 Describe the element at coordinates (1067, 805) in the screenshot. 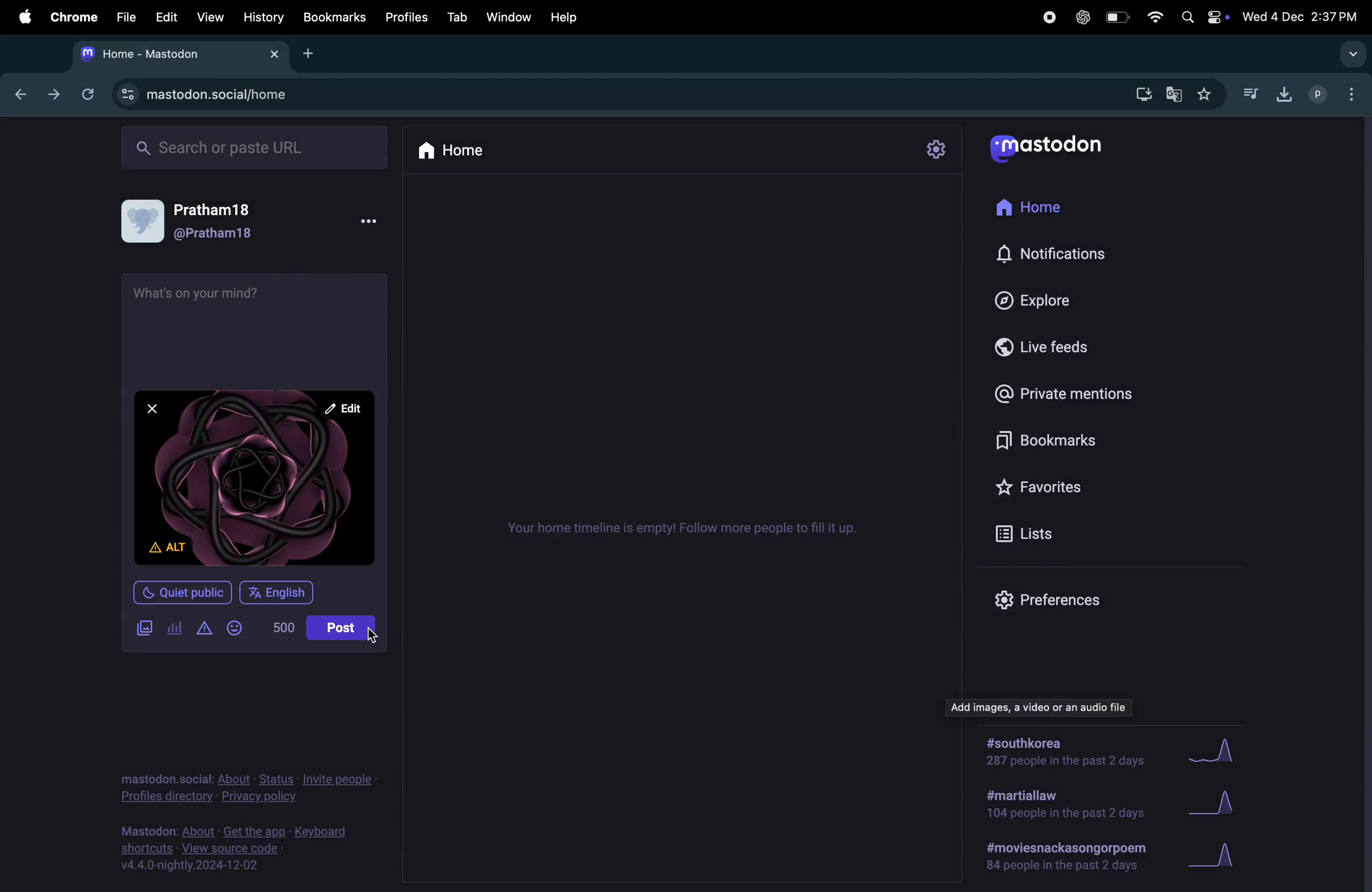

I see `#martial flow` at that location.